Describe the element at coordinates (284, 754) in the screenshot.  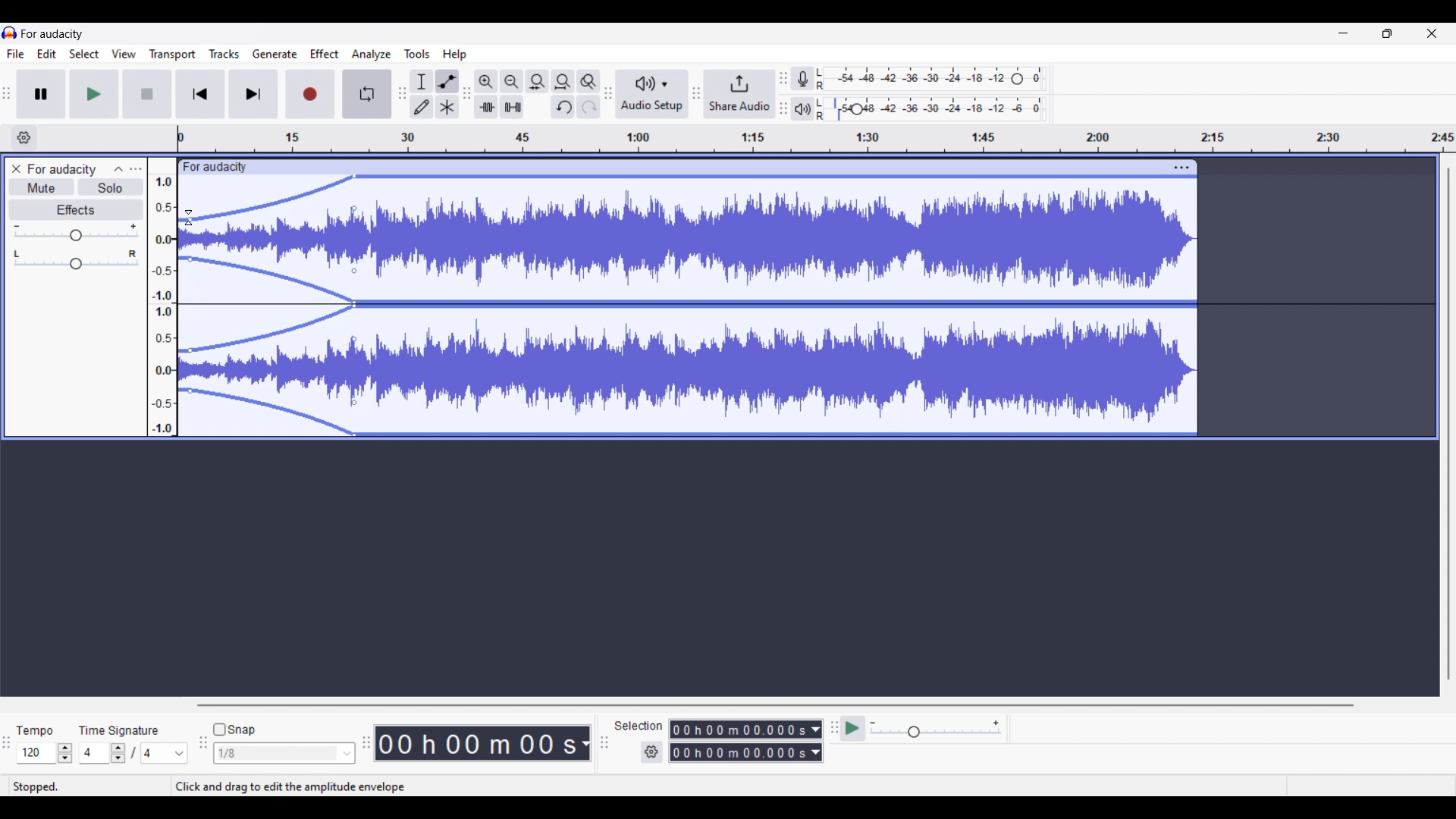
I see `Snap options` at that location.